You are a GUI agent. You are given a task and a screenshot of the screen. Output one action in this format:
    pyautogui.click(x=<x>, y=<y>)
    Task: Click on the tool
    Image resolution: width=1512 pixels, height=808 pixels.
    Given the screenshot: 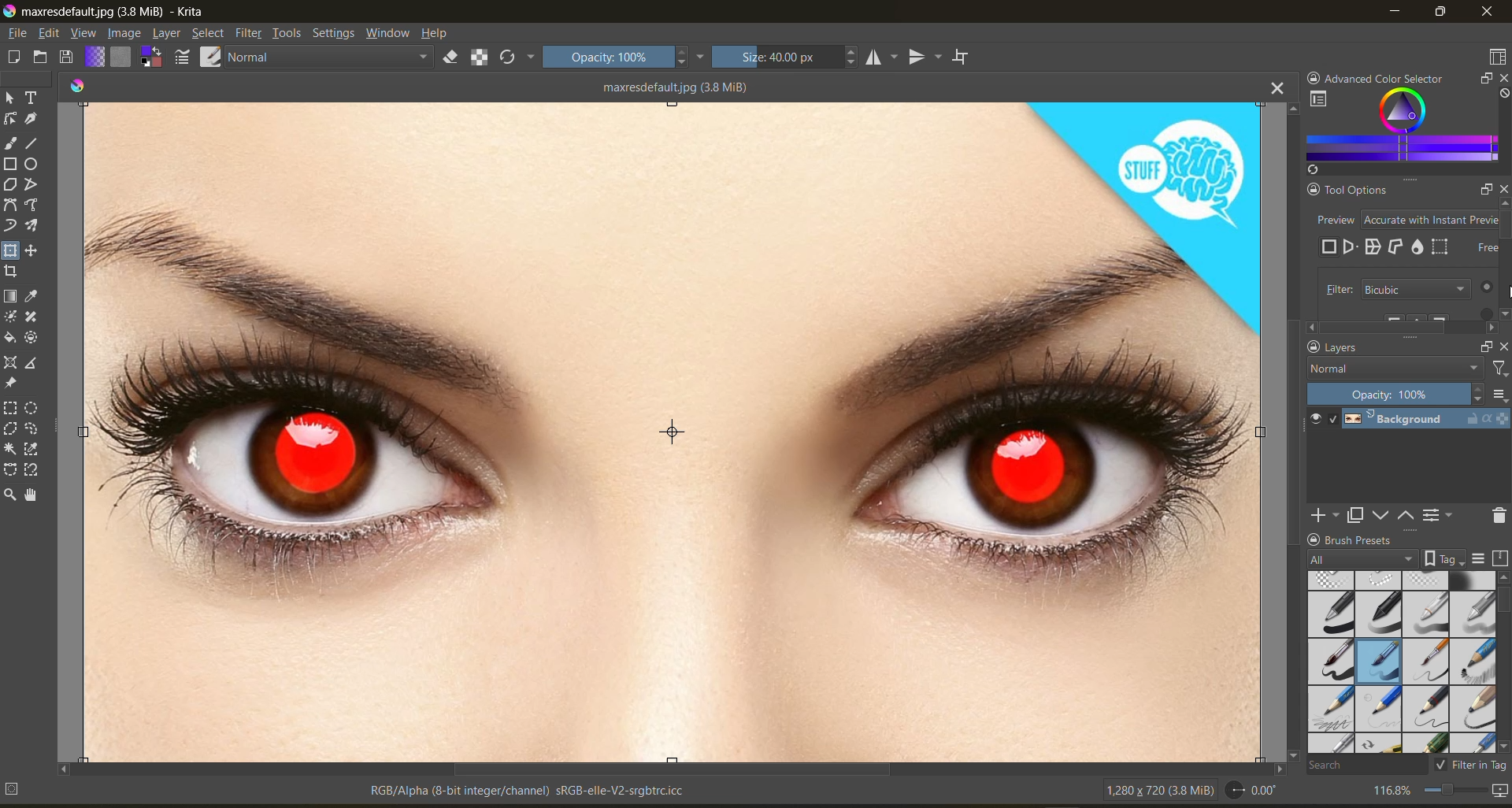 What is the action you would take?
    pyautogui.click(x=33, y=165)
    